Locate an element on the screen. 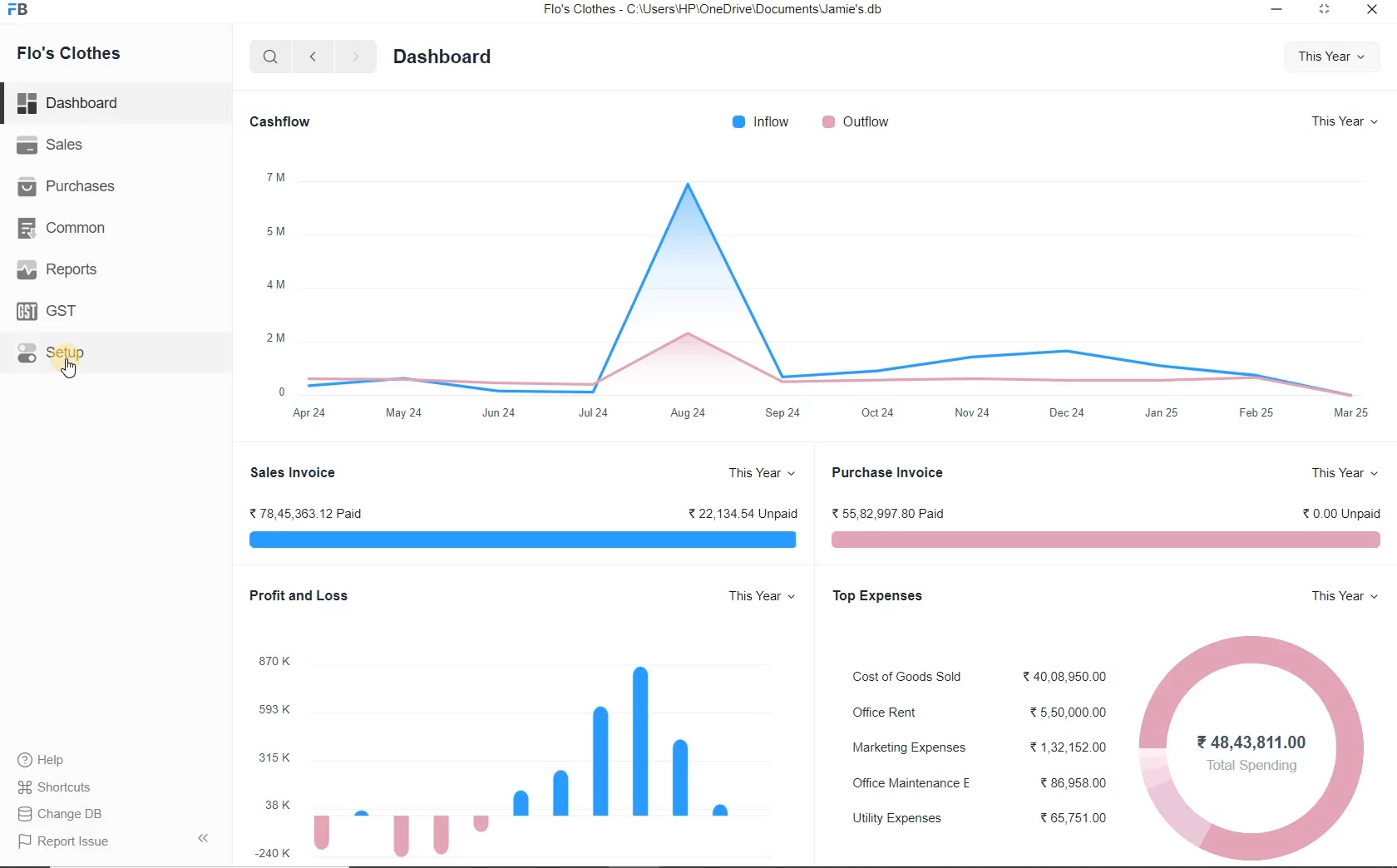 The image size is (1397, 868). 870K
593K
315K
BK
240K is located at coordinates (275, 755).